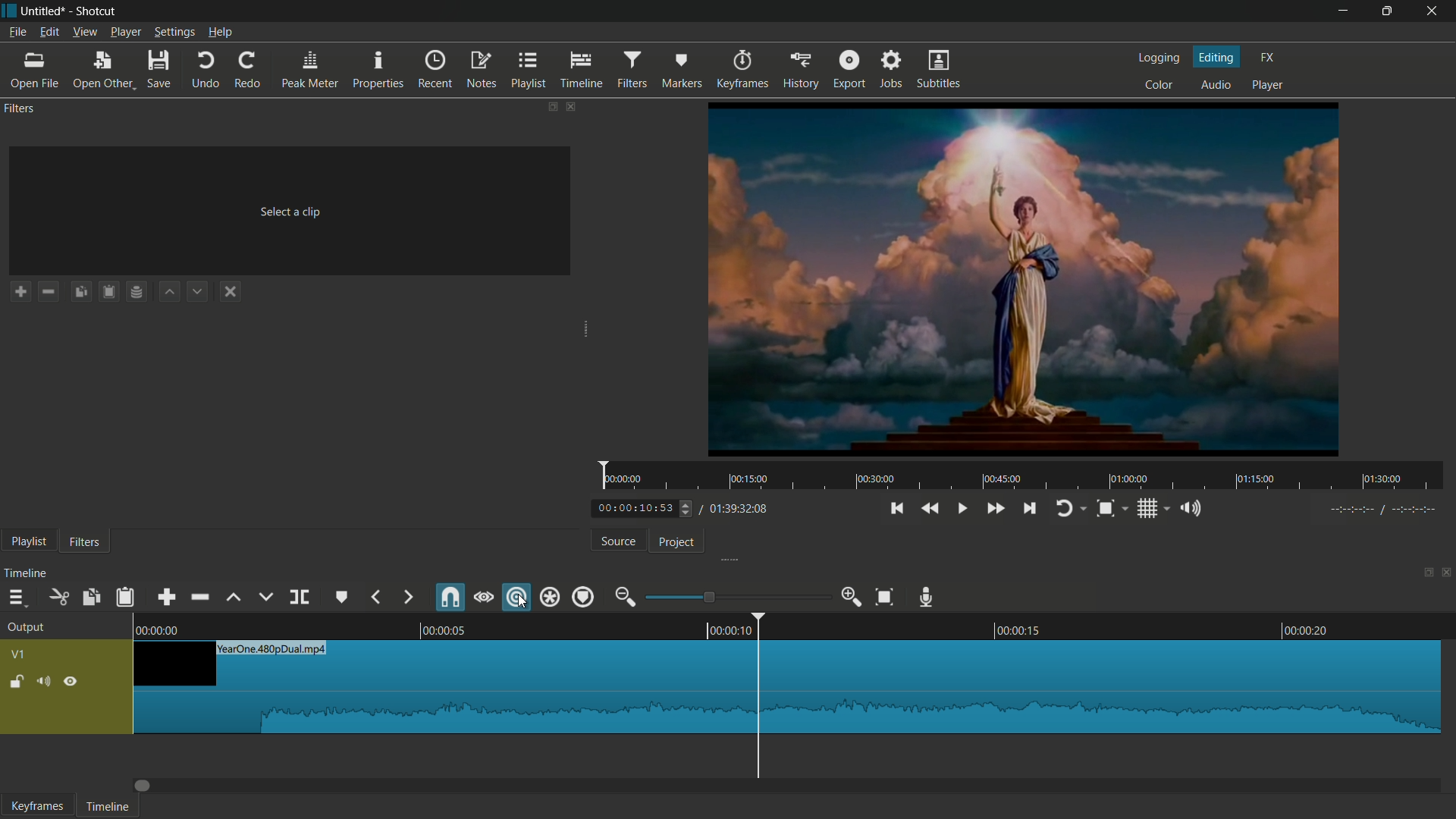 This screenshot has width=1456, height=819. What do you see at coordinates (1385, 12) in the screenshot?
I see `maximize` at bounding box center [1385, 12].